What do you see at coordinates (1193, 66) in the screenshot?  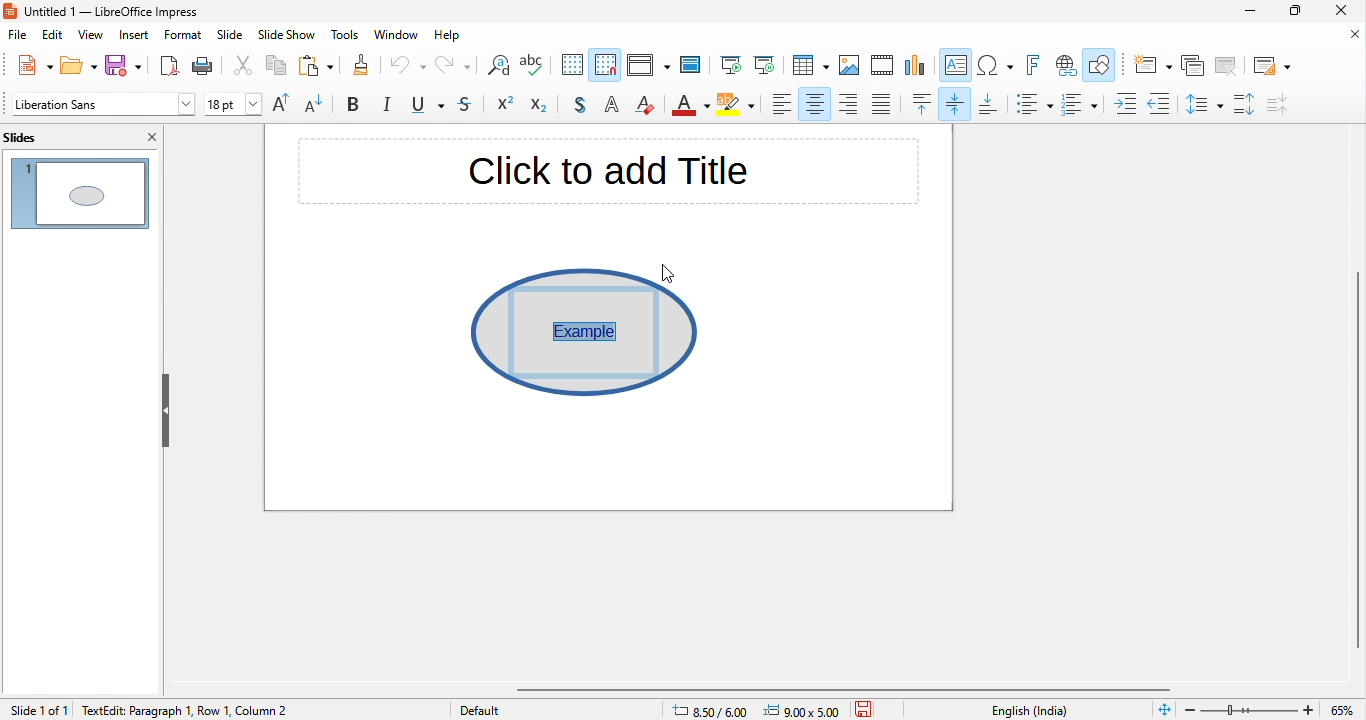 I see `duplicate slide` at bounding box center [1193, 66].